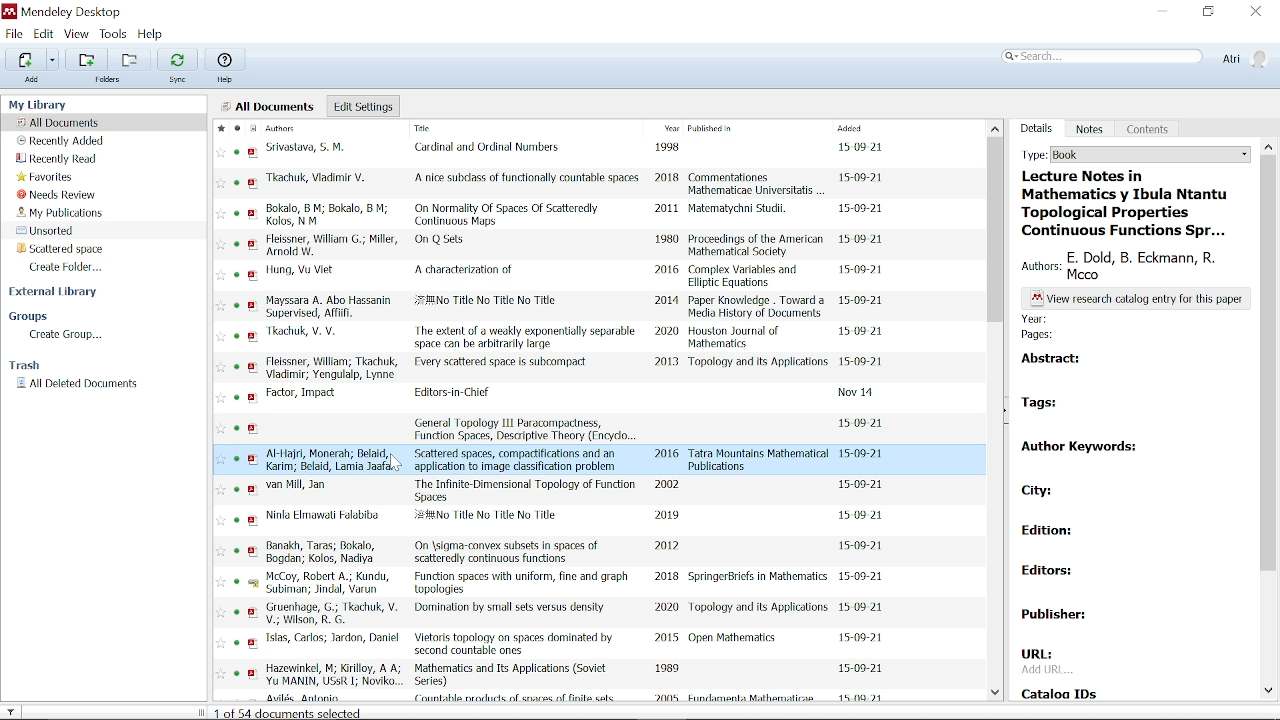 This screenshot has height=720, width=1280. What do you see at coordinates (864, 330) in the screenshot?
I see `date` at bounding box center [864, 330].